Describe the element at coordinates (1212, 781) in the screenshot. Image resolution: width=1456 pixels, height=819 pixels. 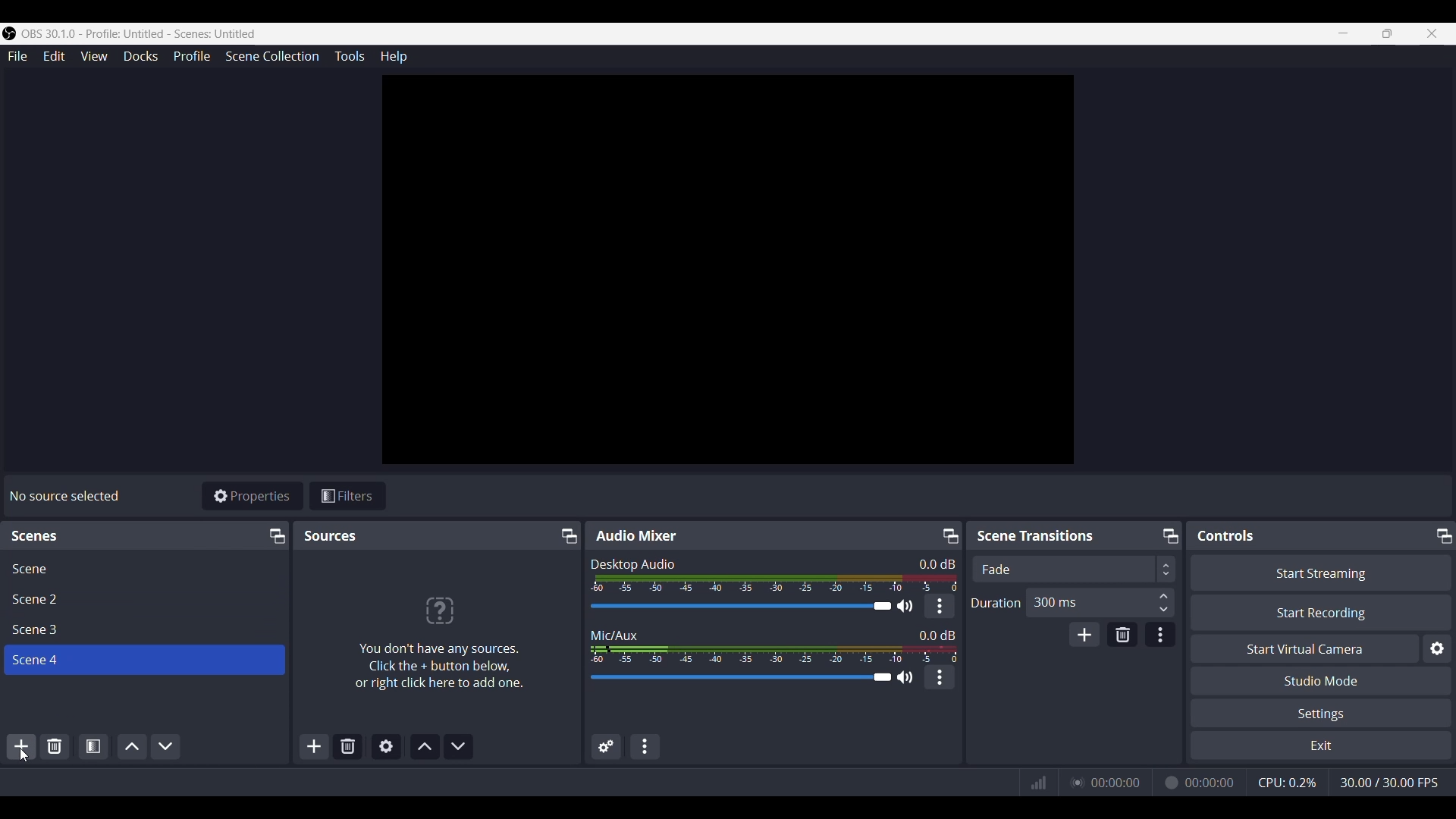
I see `00:00:00` at that location.